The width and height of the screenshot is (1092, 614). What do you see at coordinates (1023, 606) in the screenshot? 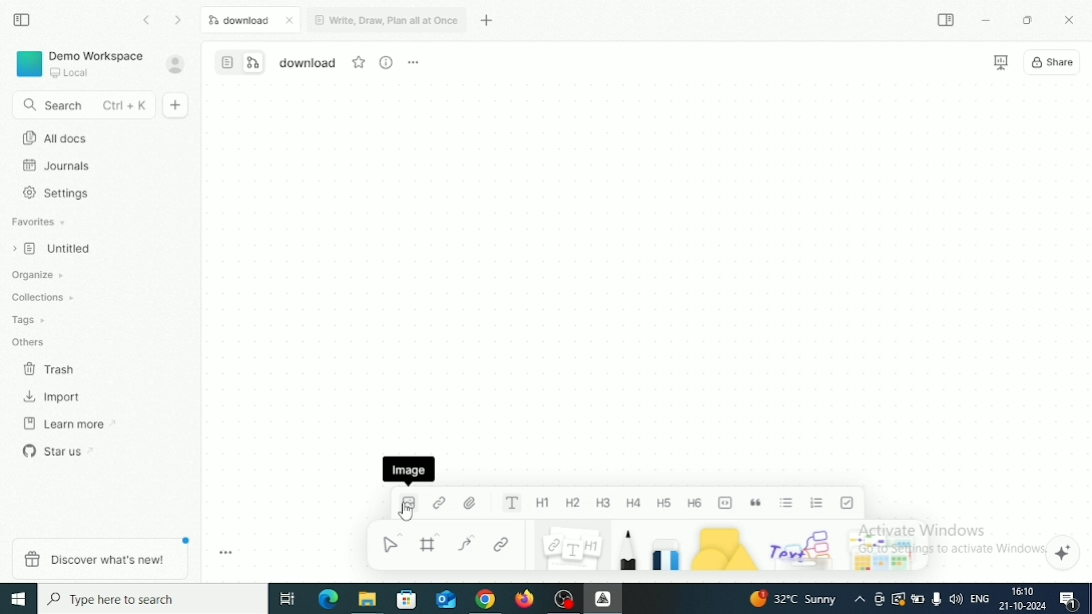
I see `Date` at bounding box center [1023, 606].